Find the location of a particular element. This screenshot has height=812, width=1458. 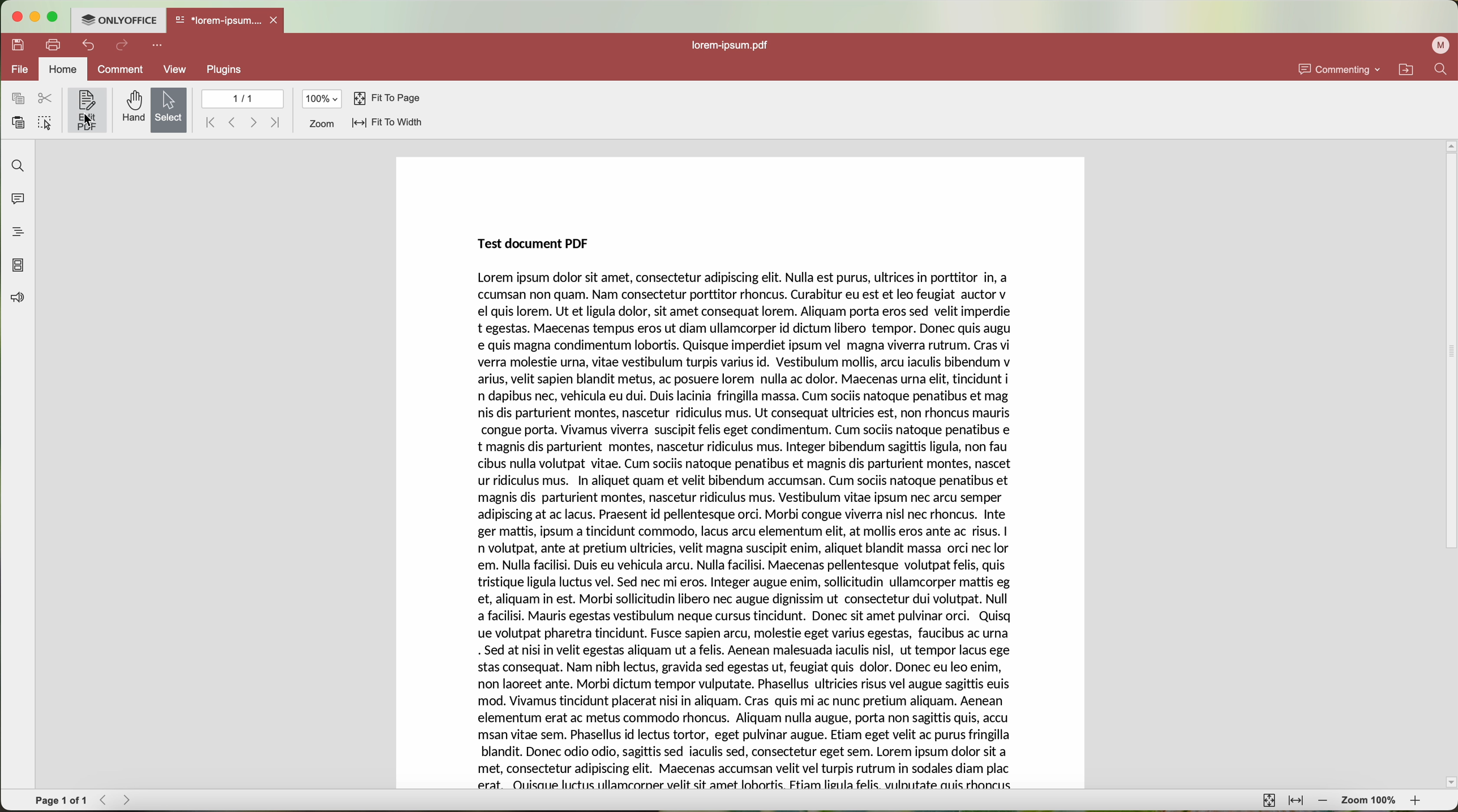

open file location is located at coordinates (1405, 69).